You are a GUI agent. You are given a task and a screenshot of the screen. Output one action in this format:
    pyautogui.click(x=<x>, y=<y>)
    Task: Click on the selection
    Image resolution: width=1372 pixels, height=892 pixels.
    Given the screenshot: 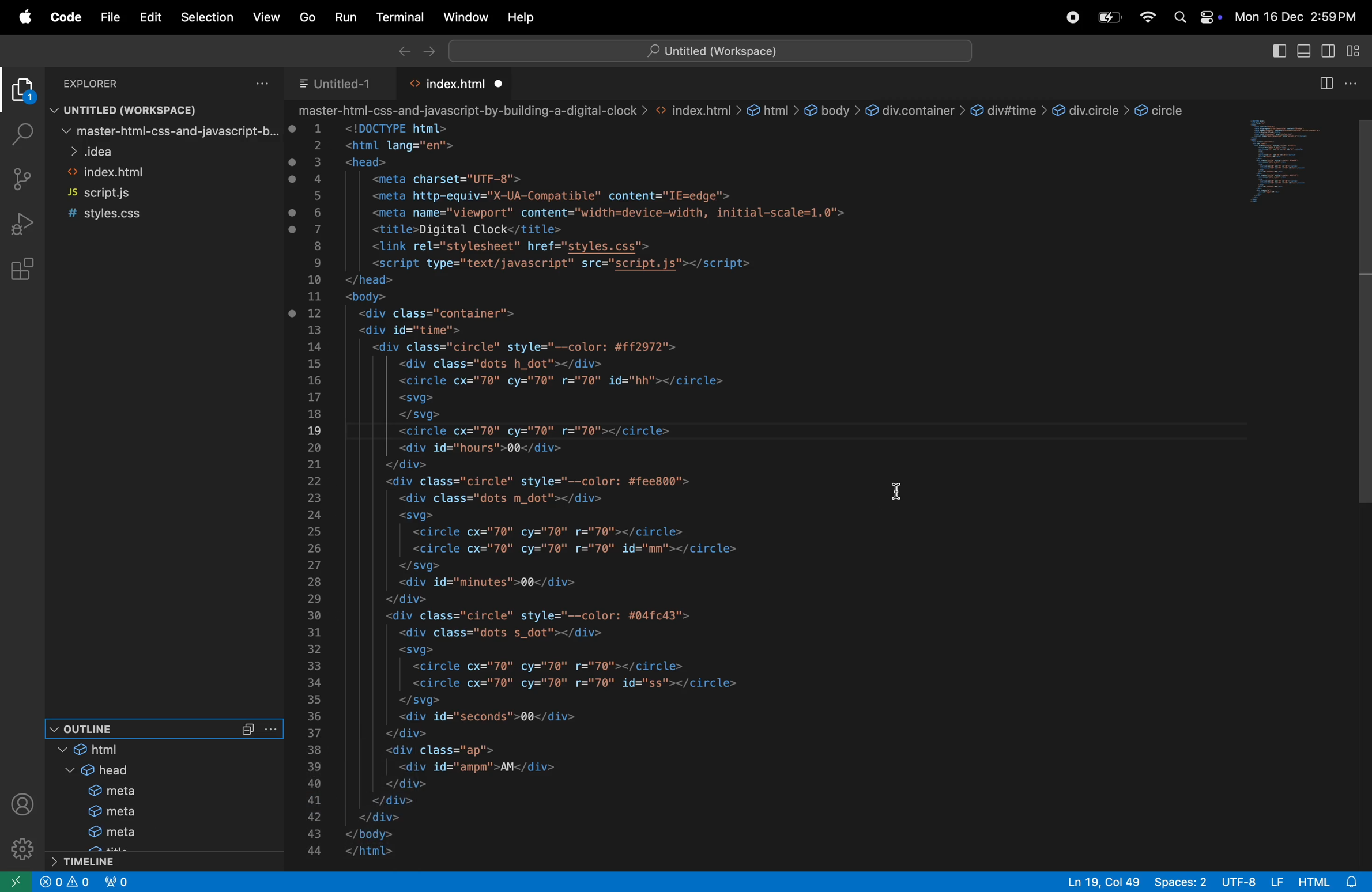 What is the action you would take?
    pyautogui.click(x=209, y=17)
    